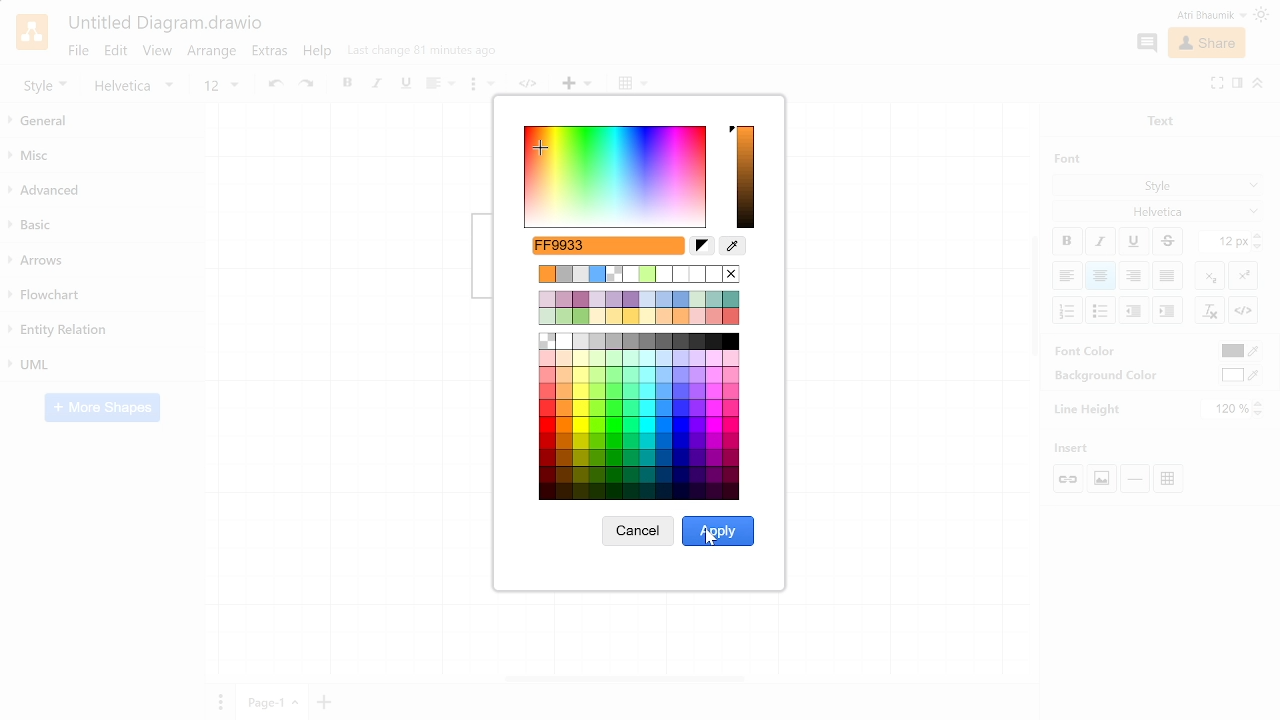 This screenshot has height=720, width=1280. Describe the element at coordinates (1135, 275) in the screenshot. I see `Allign right` at that location.